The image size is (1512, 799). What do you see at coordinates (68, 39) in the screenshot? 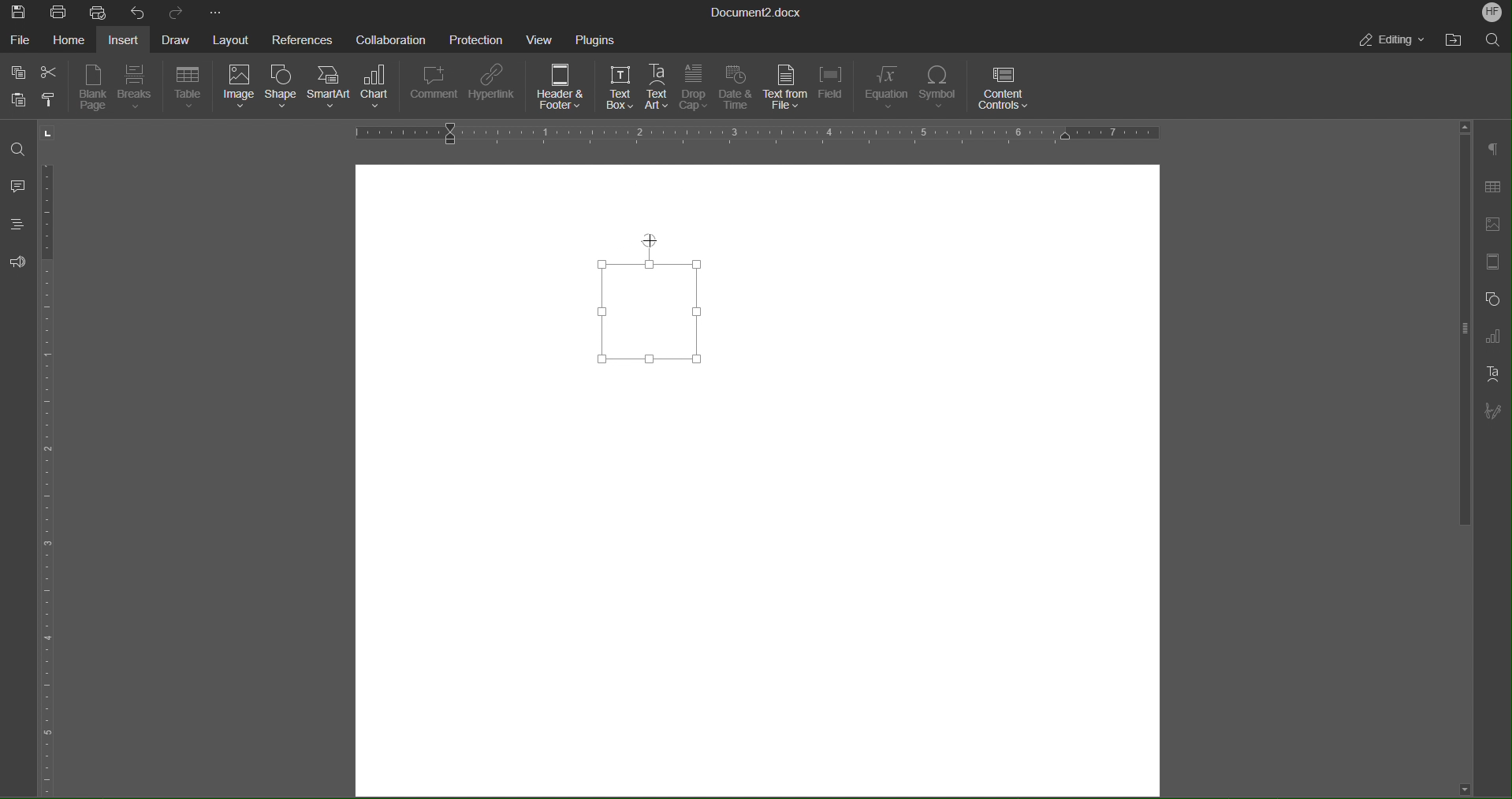
I see `Home` at bounding box center [68, 39].